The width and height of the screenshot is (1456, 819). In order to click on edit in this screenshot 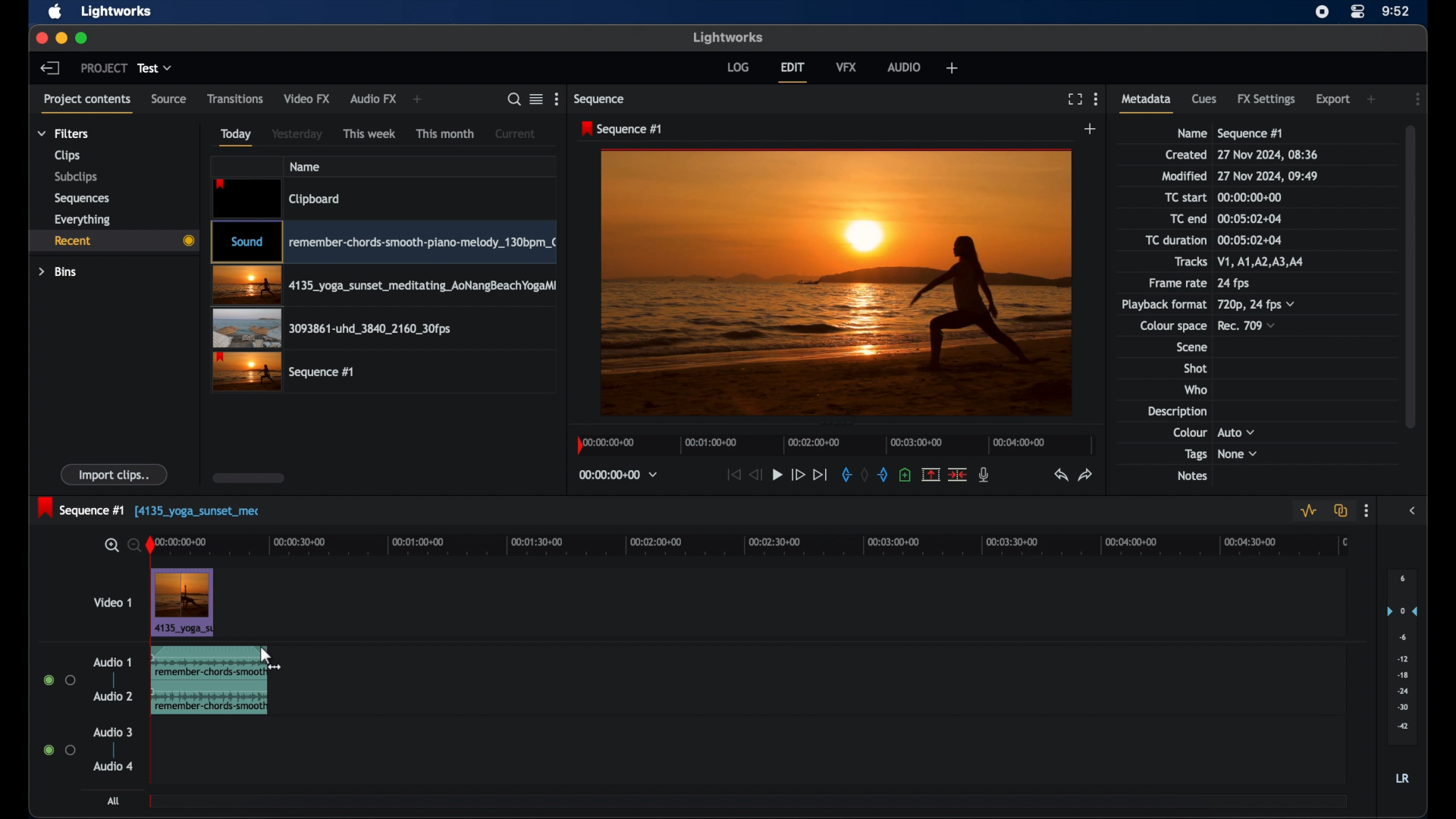, I will do `click(795, 71)`.